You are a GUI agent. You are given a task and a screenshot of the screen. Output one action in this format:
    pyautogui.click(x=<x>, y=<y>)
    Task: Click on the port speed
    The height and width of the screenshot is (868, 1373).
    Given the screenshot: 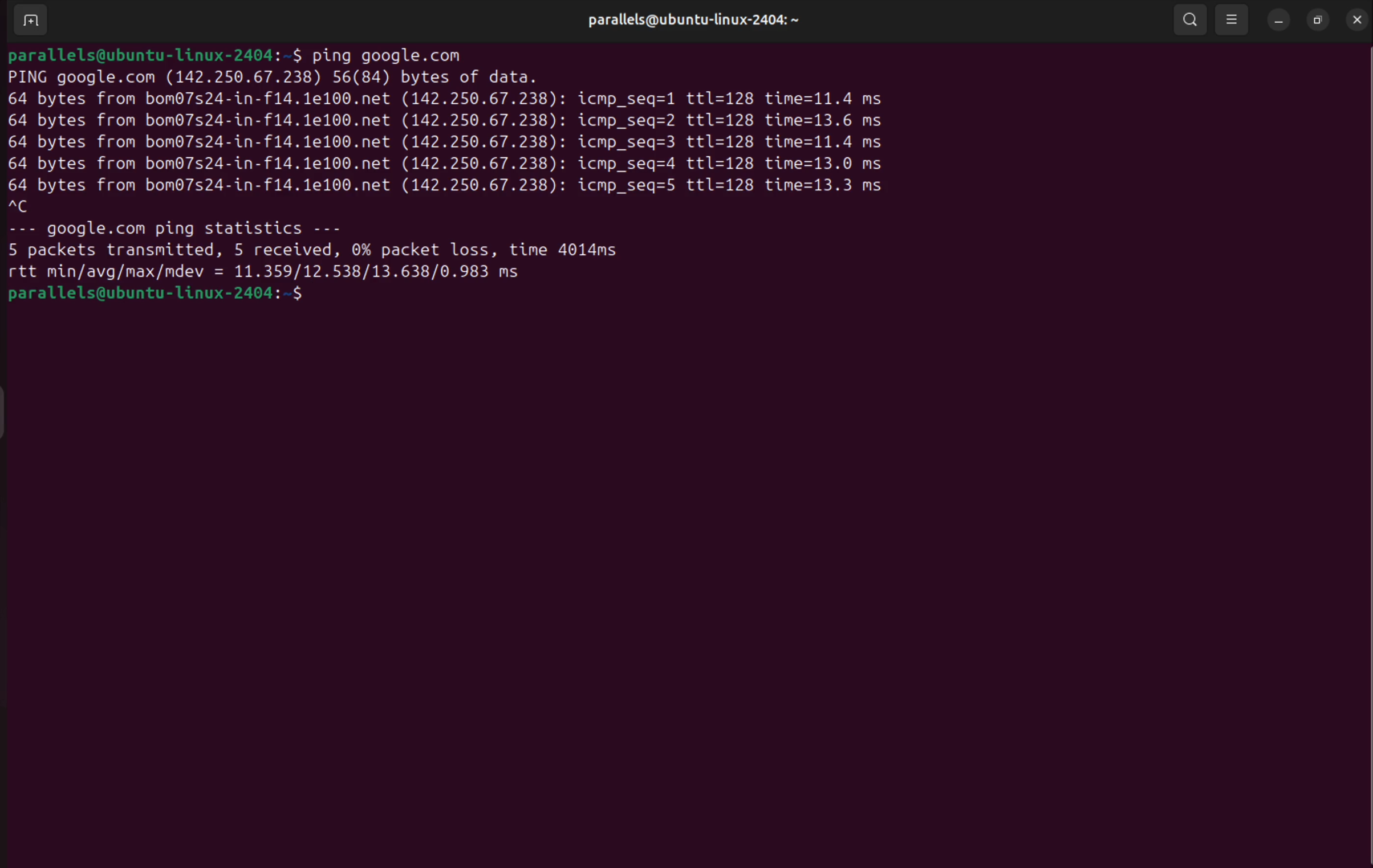 What is the action you would take?
    pyautogui.click(x=367, y=272)
    